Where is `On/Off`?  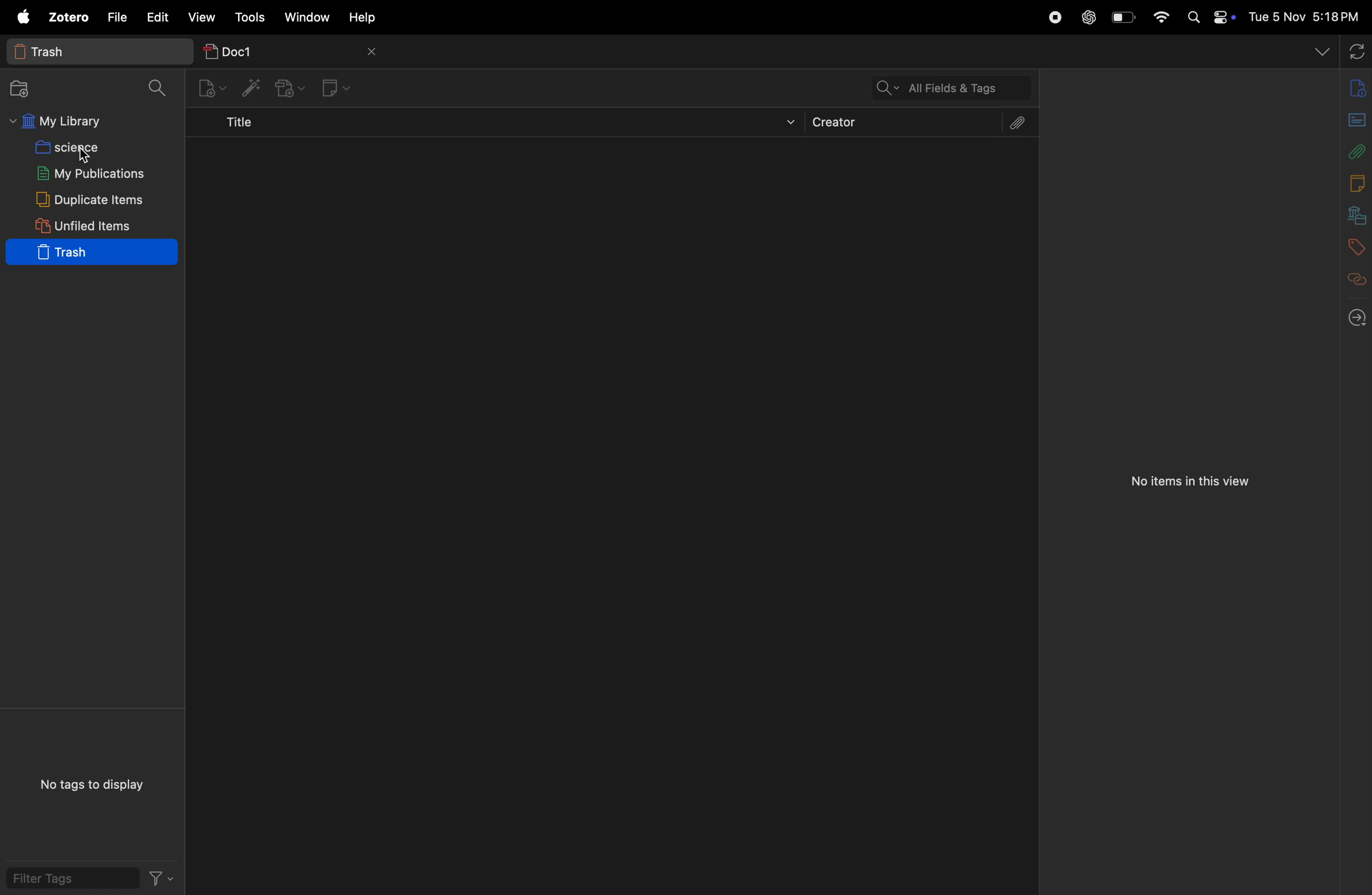
On/Off is located at coordinates (1220, 18).